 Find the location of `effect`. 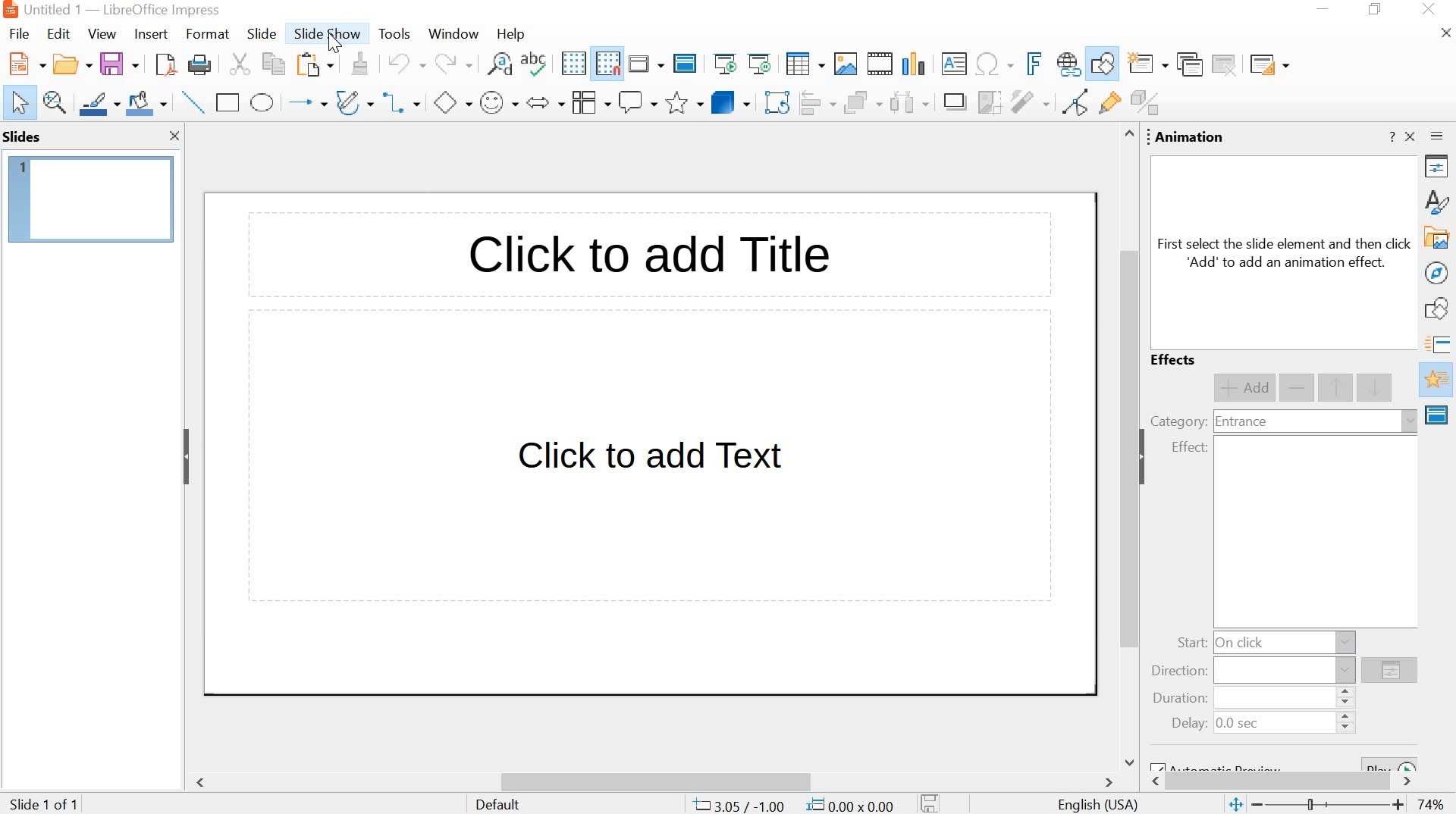

effect is located at coordinates (1189, 448).